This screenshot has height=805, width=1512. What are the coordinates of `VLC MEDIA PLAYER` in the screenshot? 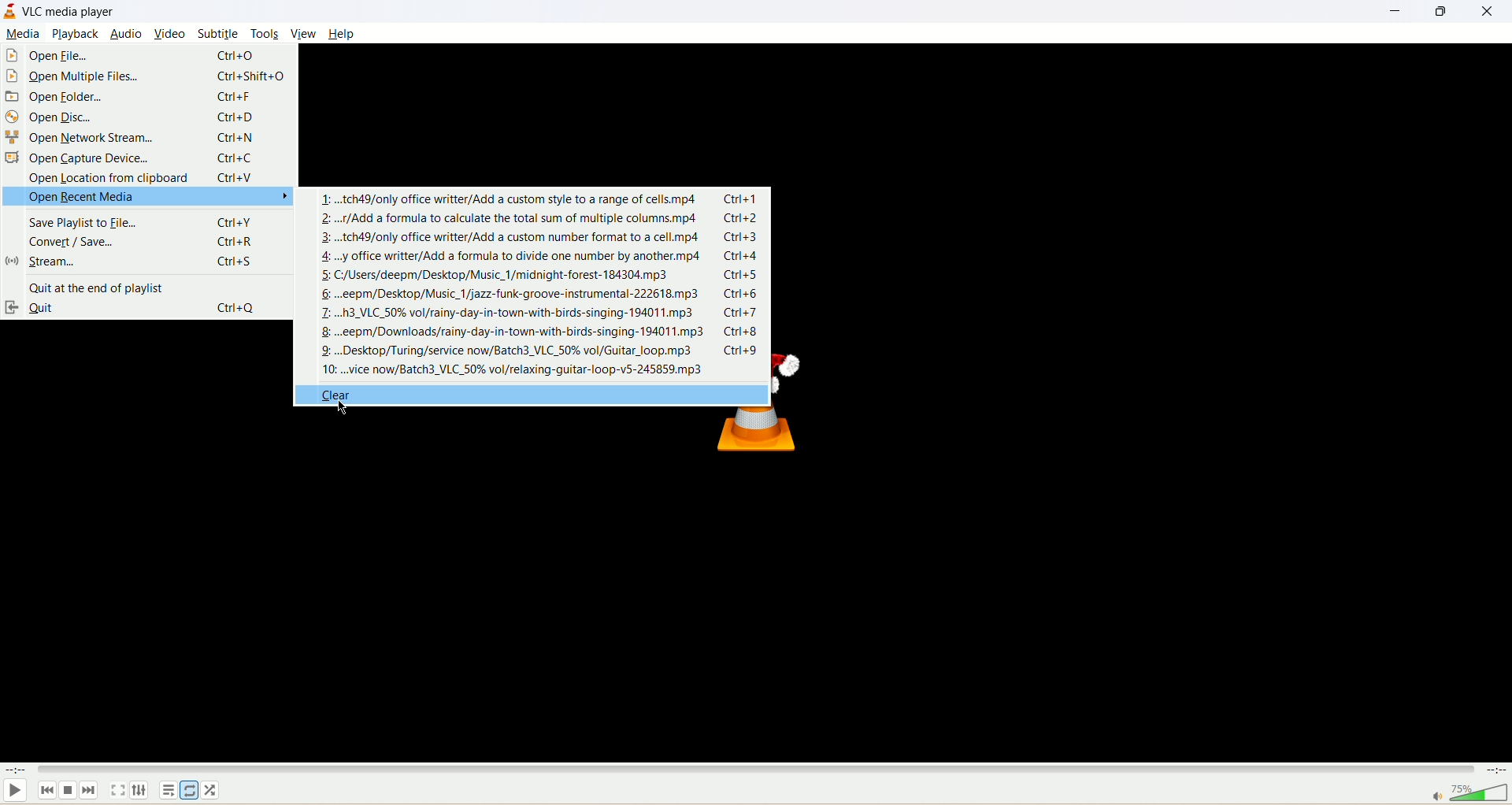 It's located at (72, 13).